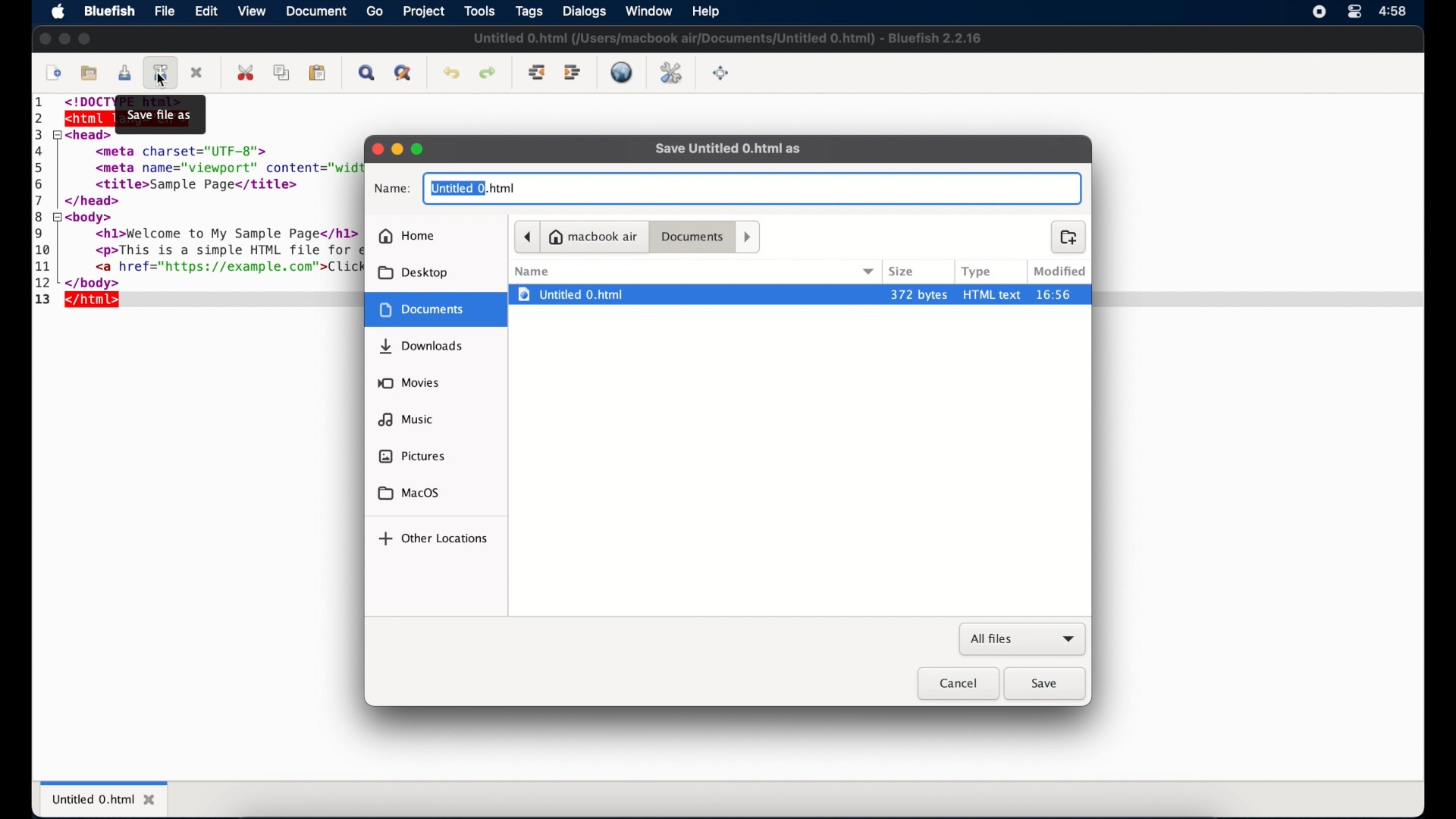 The height and width of the screenshot is (819, 1456). I want to click on <body>, so click(93, 218).